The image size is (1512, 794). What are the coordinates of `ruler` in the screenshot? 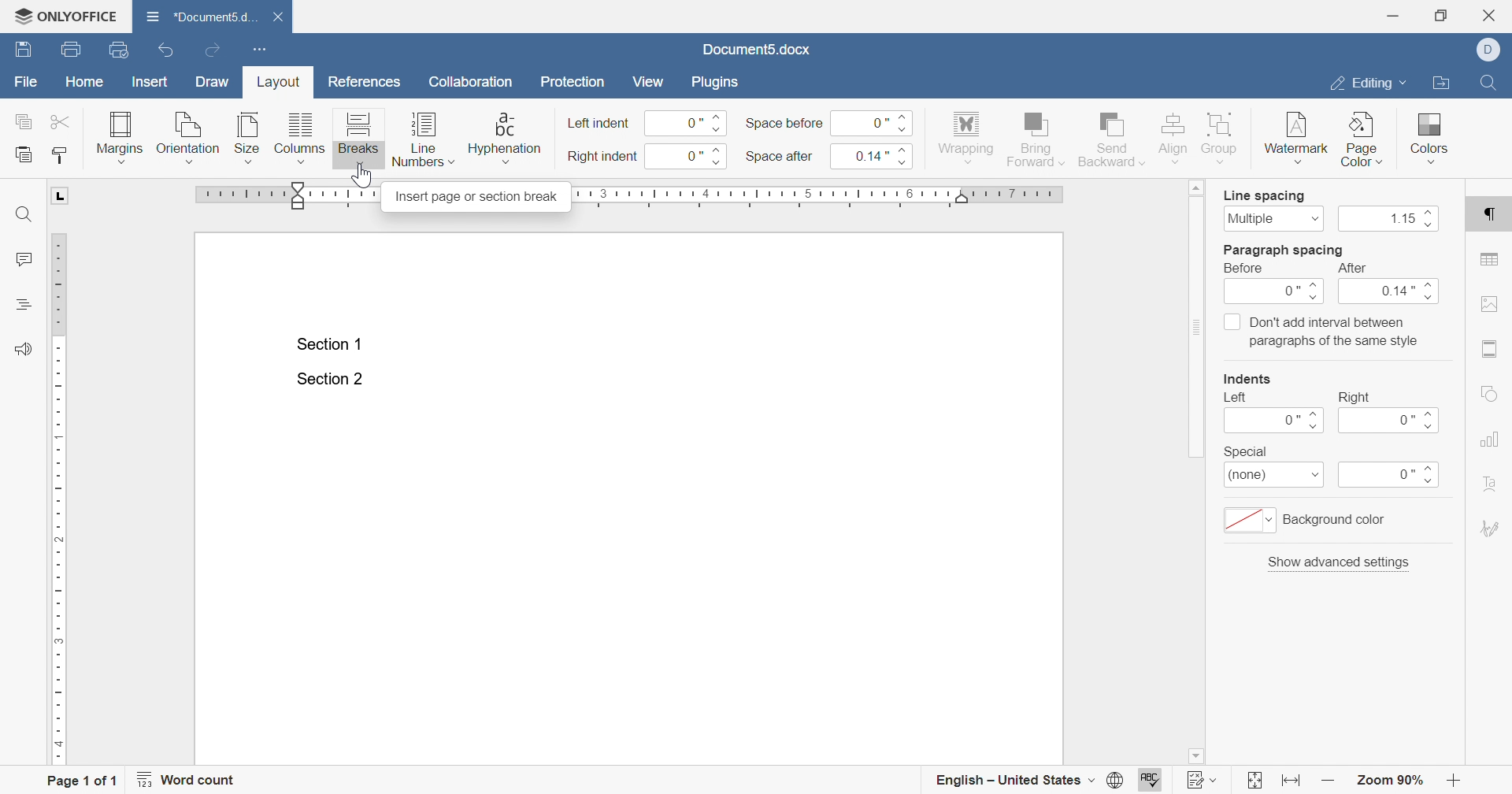 It's located at (60, 499).